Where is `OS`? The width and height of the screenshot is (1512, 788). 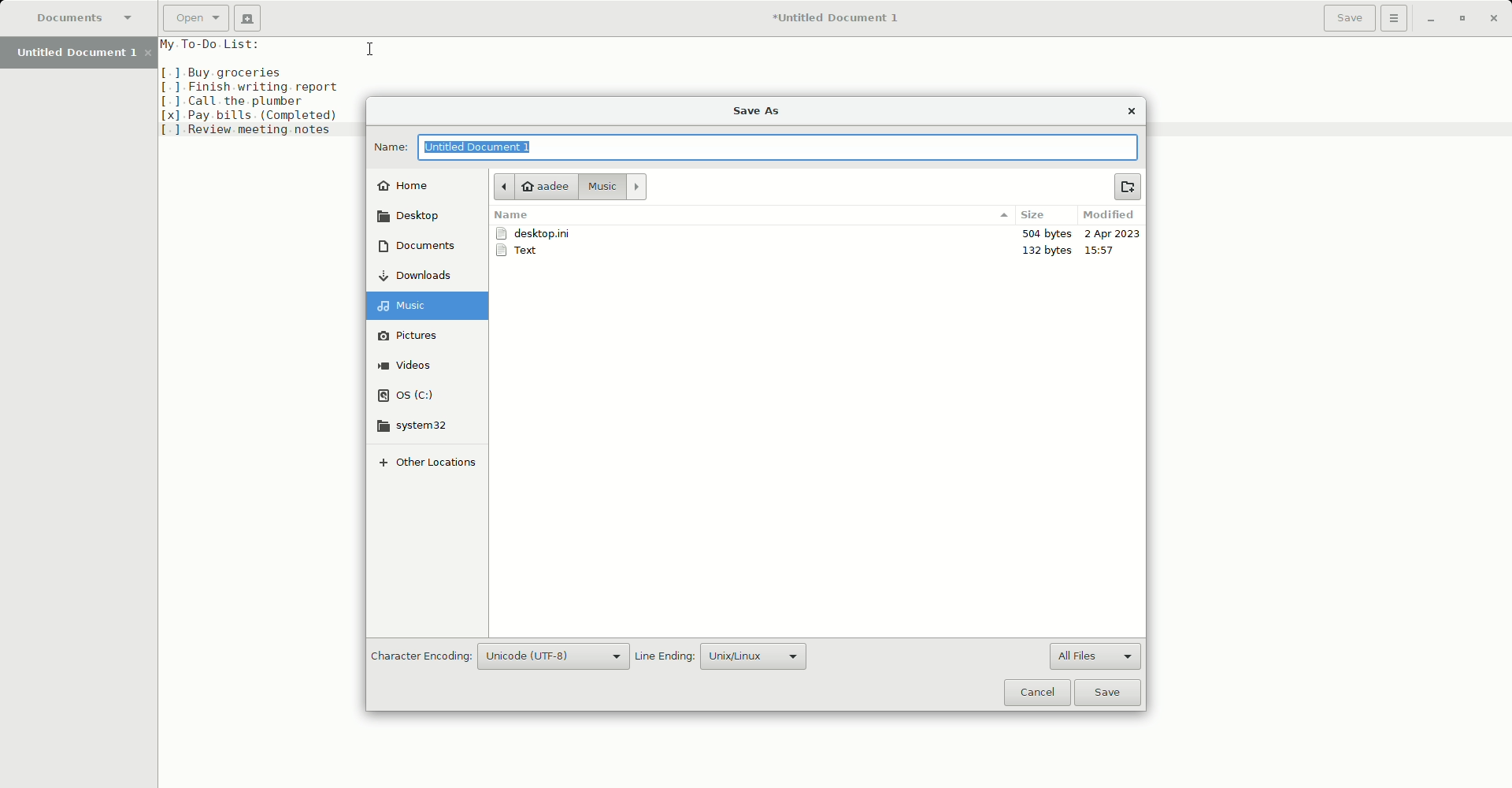 OS is located at coordinates (416, 392).